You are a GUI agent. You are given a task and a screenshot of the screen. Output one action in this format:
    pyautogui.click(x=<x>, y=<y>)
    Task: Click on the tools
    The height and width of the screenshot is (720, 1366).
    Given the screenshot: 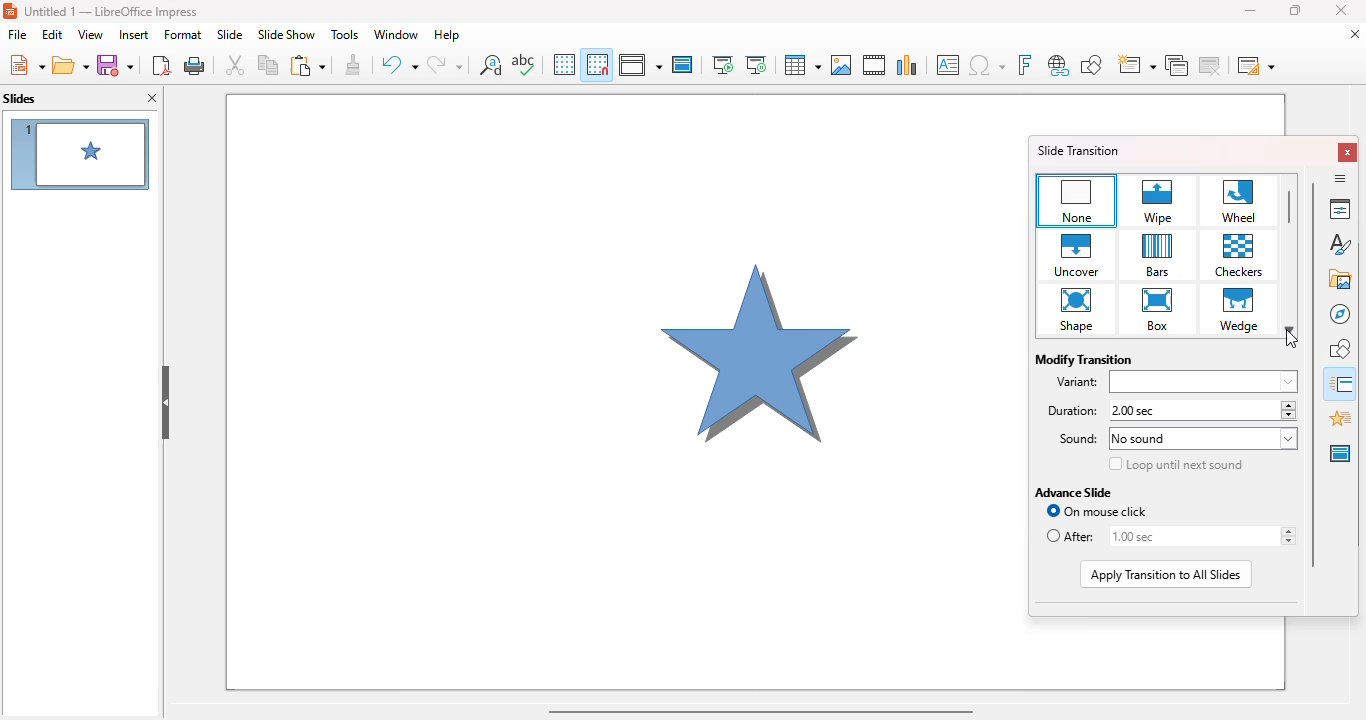 What is the action you would take?
    pyautogui.click(x=345, y=35)
    